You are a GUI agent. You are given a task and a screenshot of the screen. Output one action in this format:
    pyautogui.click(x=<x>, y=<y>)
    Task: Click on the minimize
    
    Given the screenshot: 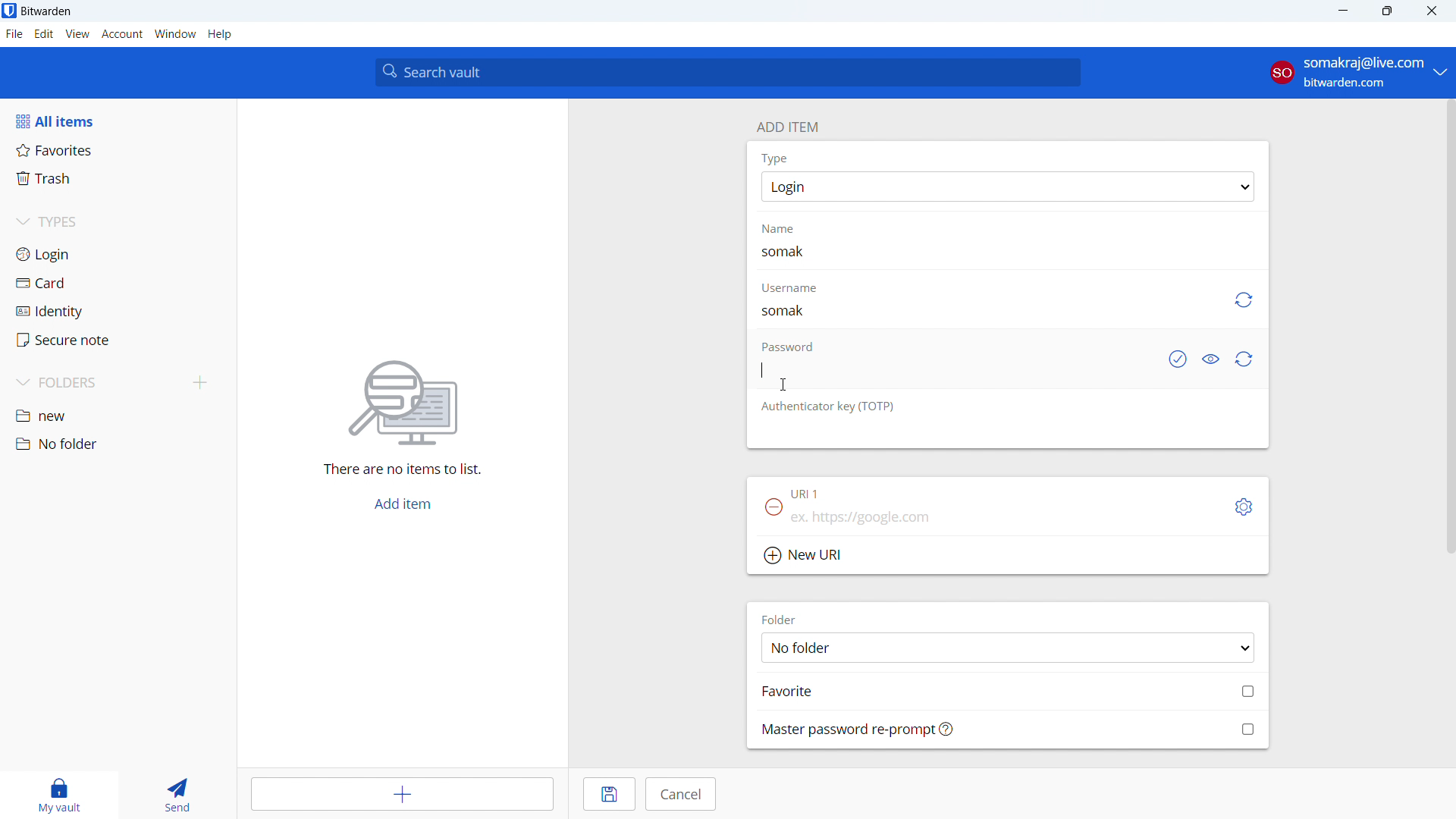 What is the action you would take?
    pyautogui.click(x=1341, y=11)
    